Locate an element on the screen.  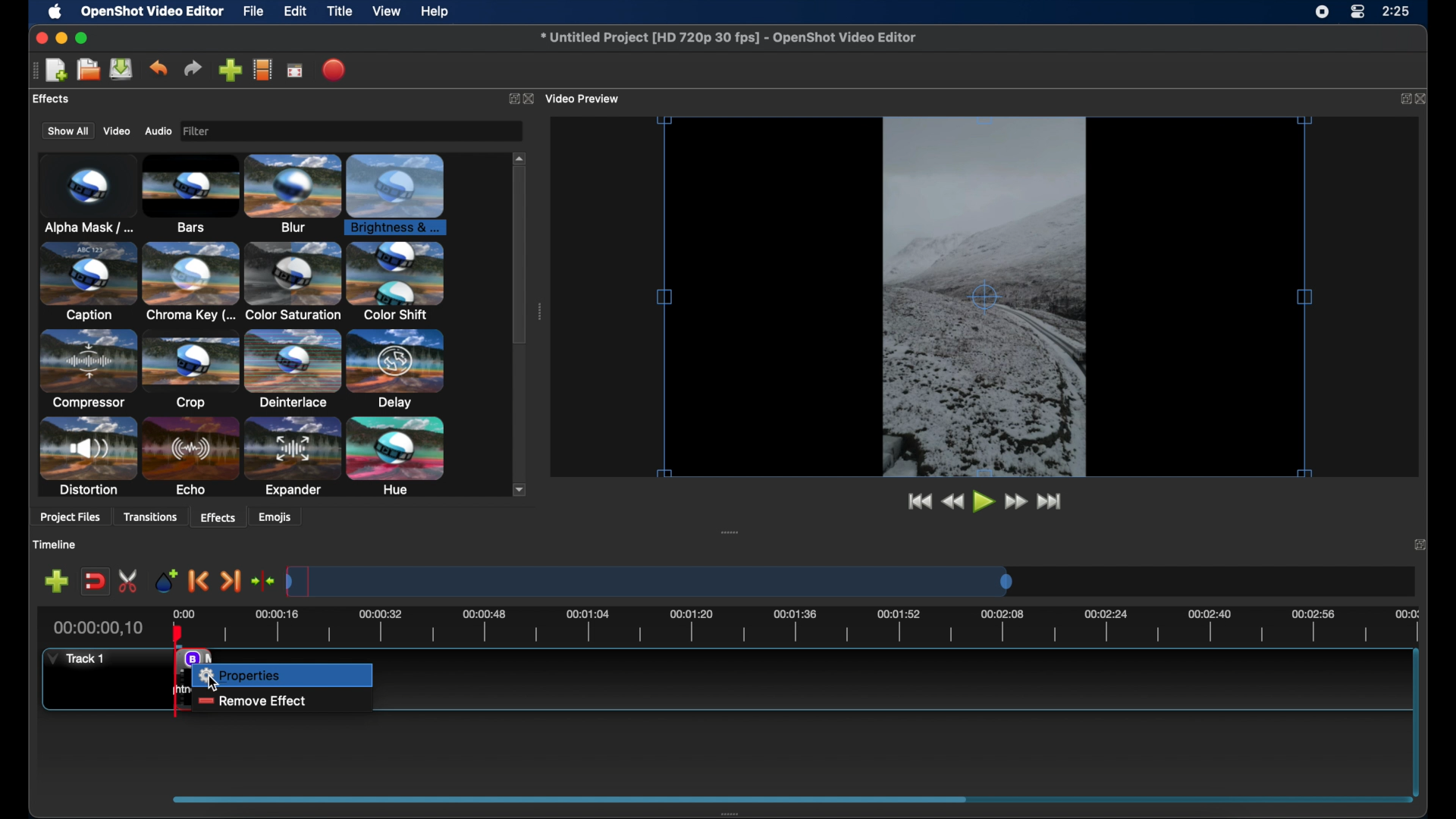
import files is located at coordinates (229, 70).